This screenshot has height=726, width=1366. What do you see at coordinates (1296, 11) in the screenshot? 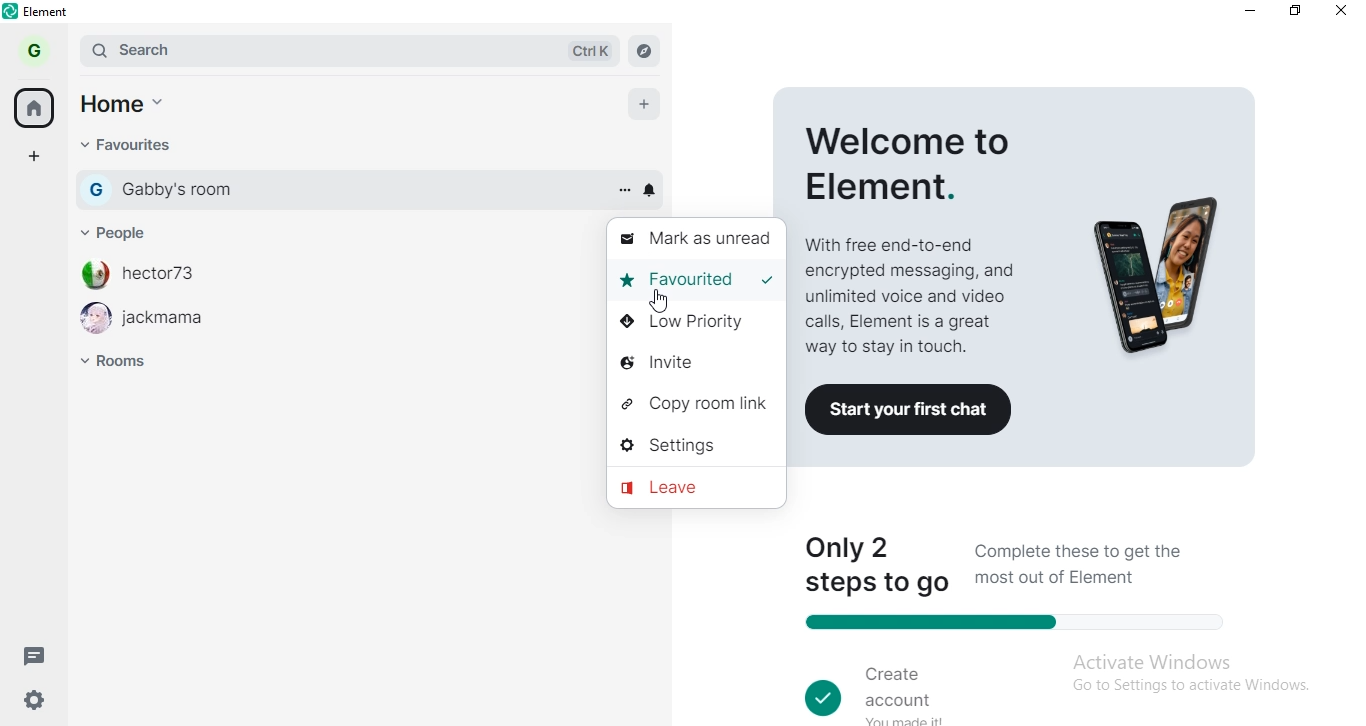
I see `restore` at bounding box center [1296, 11].